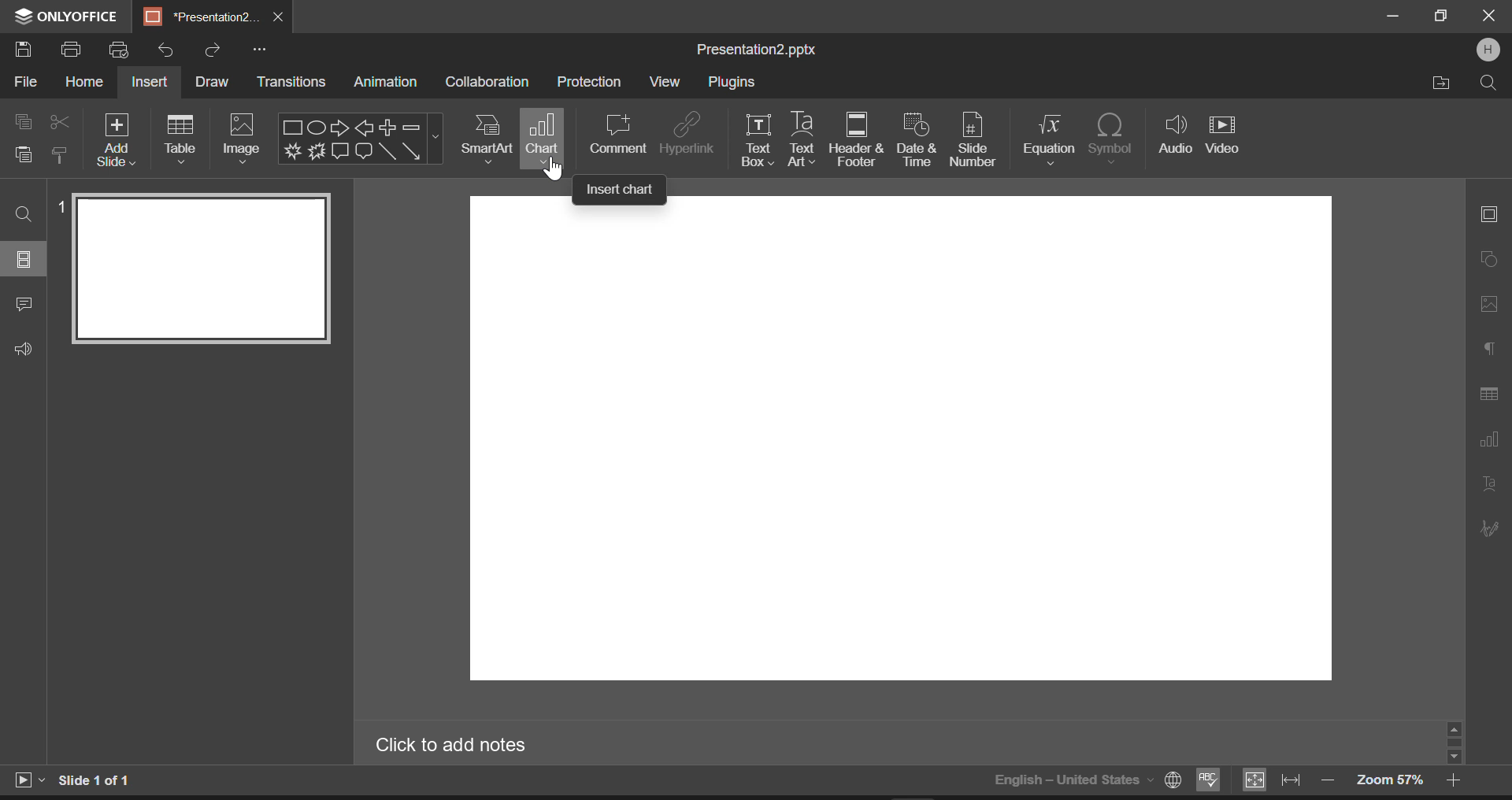 This screenshot has width=1512, height=800. I want to click on Animation, so click(384, 83).